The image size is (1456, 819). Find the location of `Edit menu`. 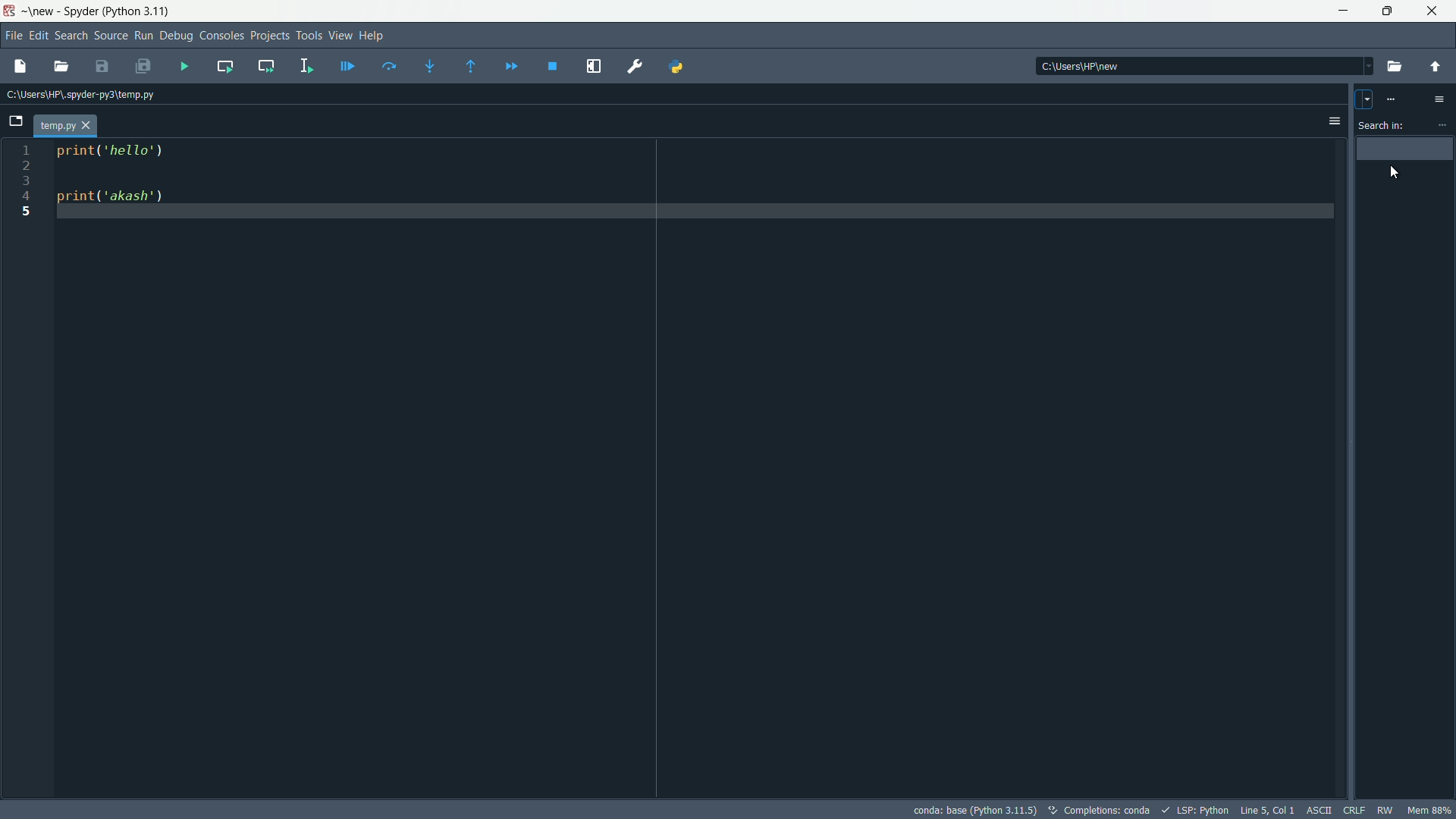

Edit menu is located at coordinates (37, 35).